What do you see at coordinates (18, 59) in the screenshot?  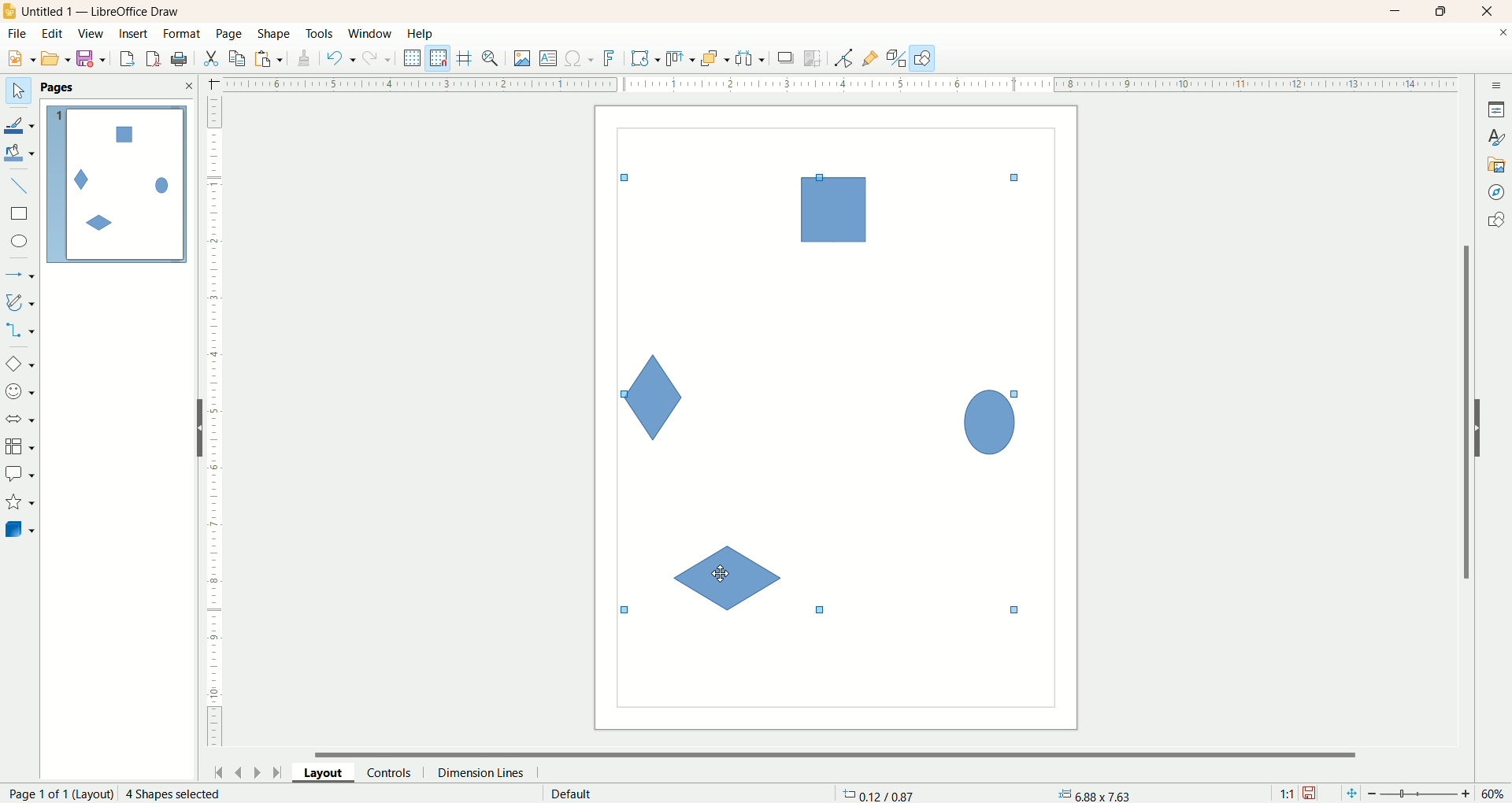 I see `new` at bounding box center [18, 59].